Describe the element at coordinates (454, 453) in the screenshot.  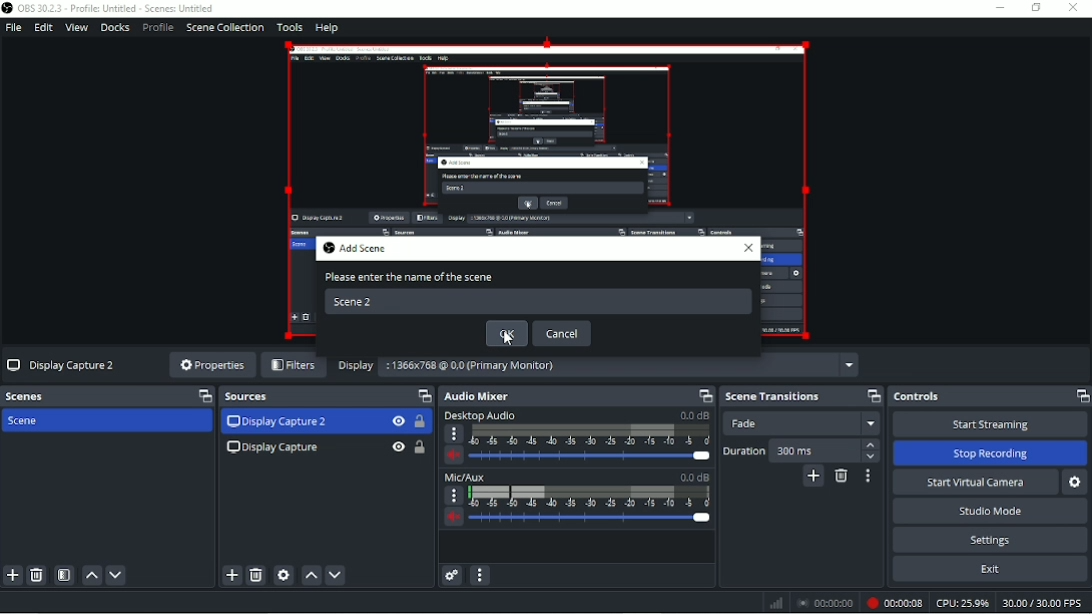
I see `volume` at that location.